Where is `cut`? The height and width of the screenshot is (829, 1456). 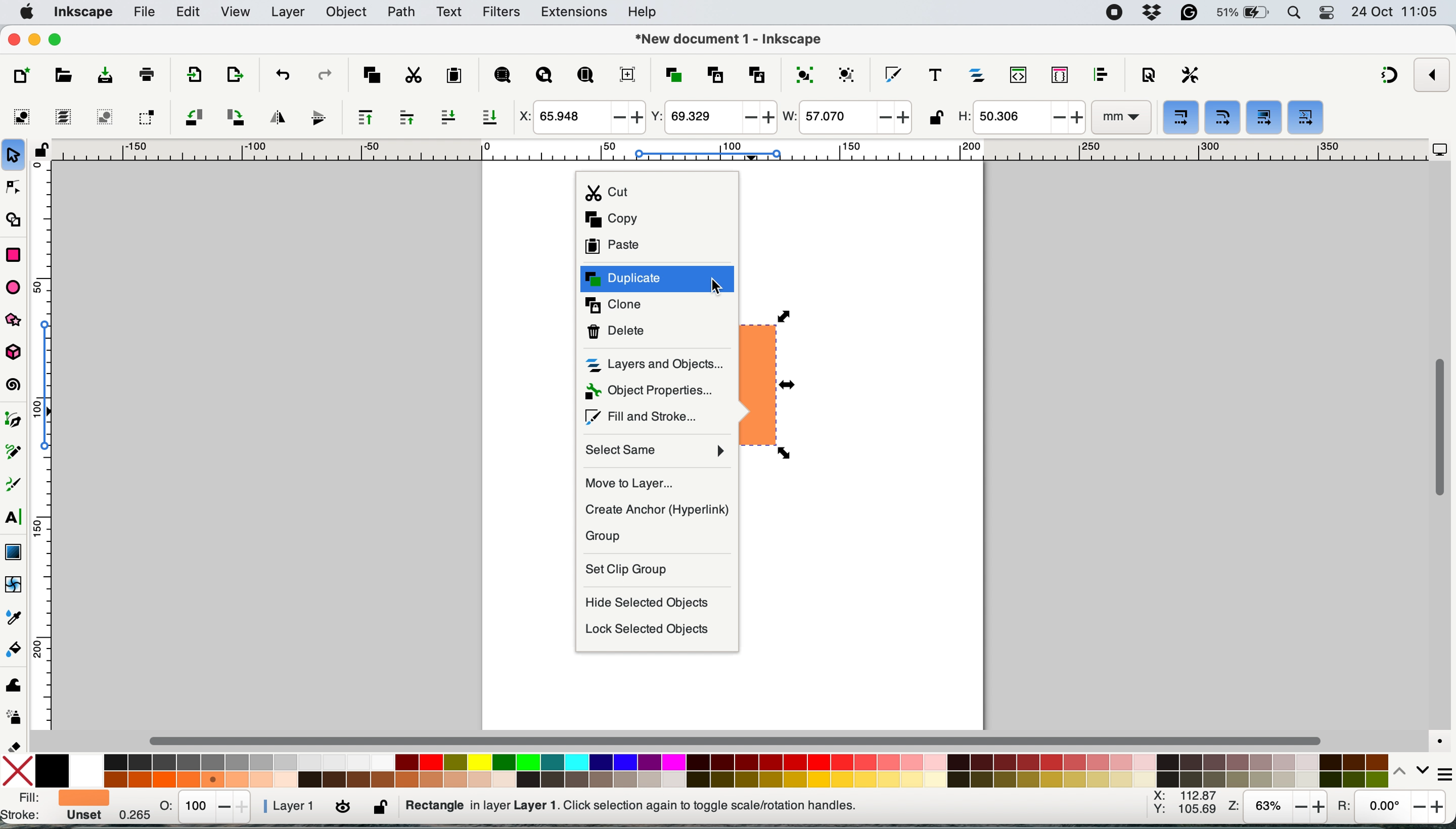 cut is located at coordinates (657, 191).